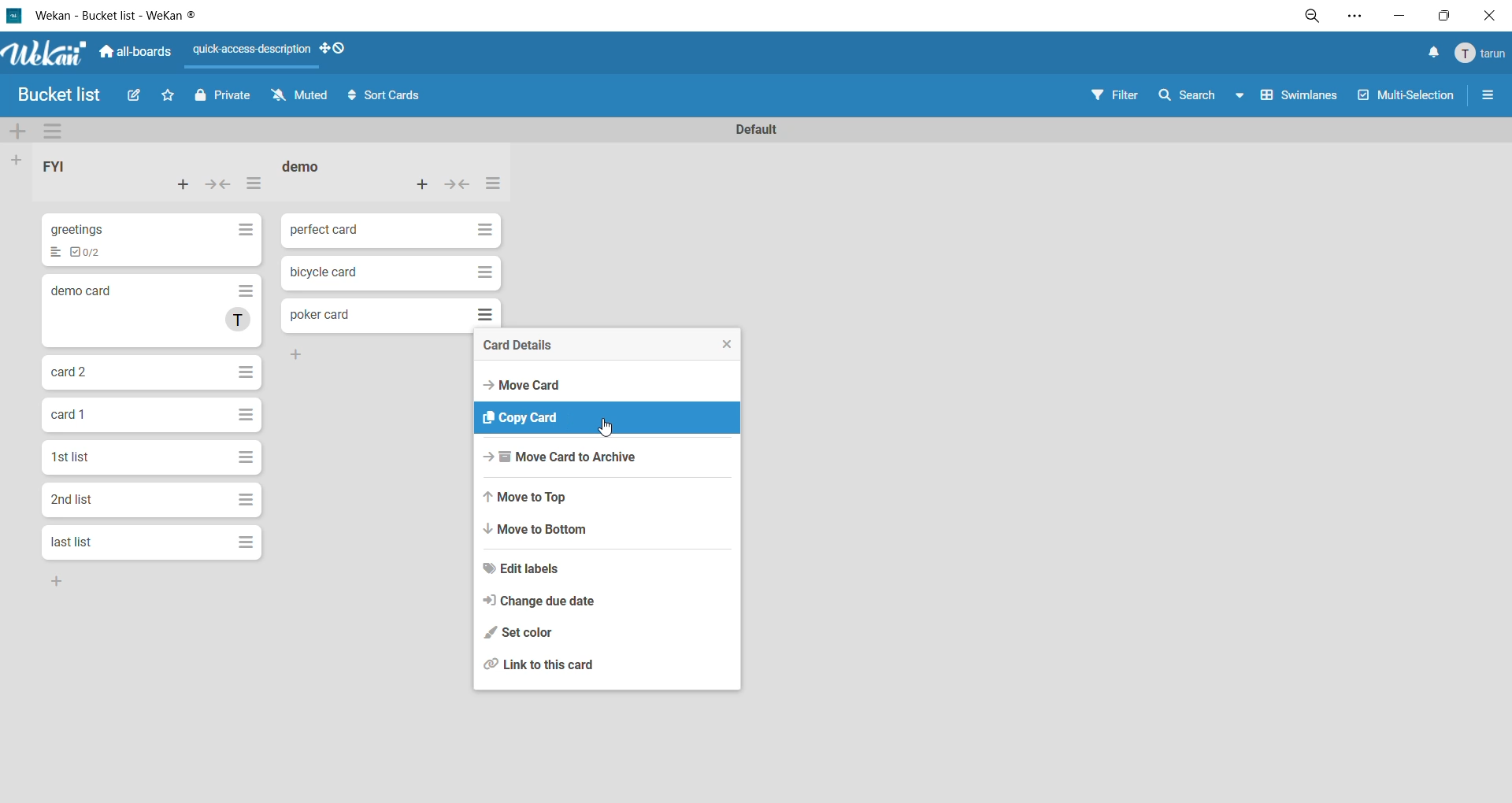 The width and height of the screenshot is (1512, 803). I want to click on demo card, so click(81, 290).